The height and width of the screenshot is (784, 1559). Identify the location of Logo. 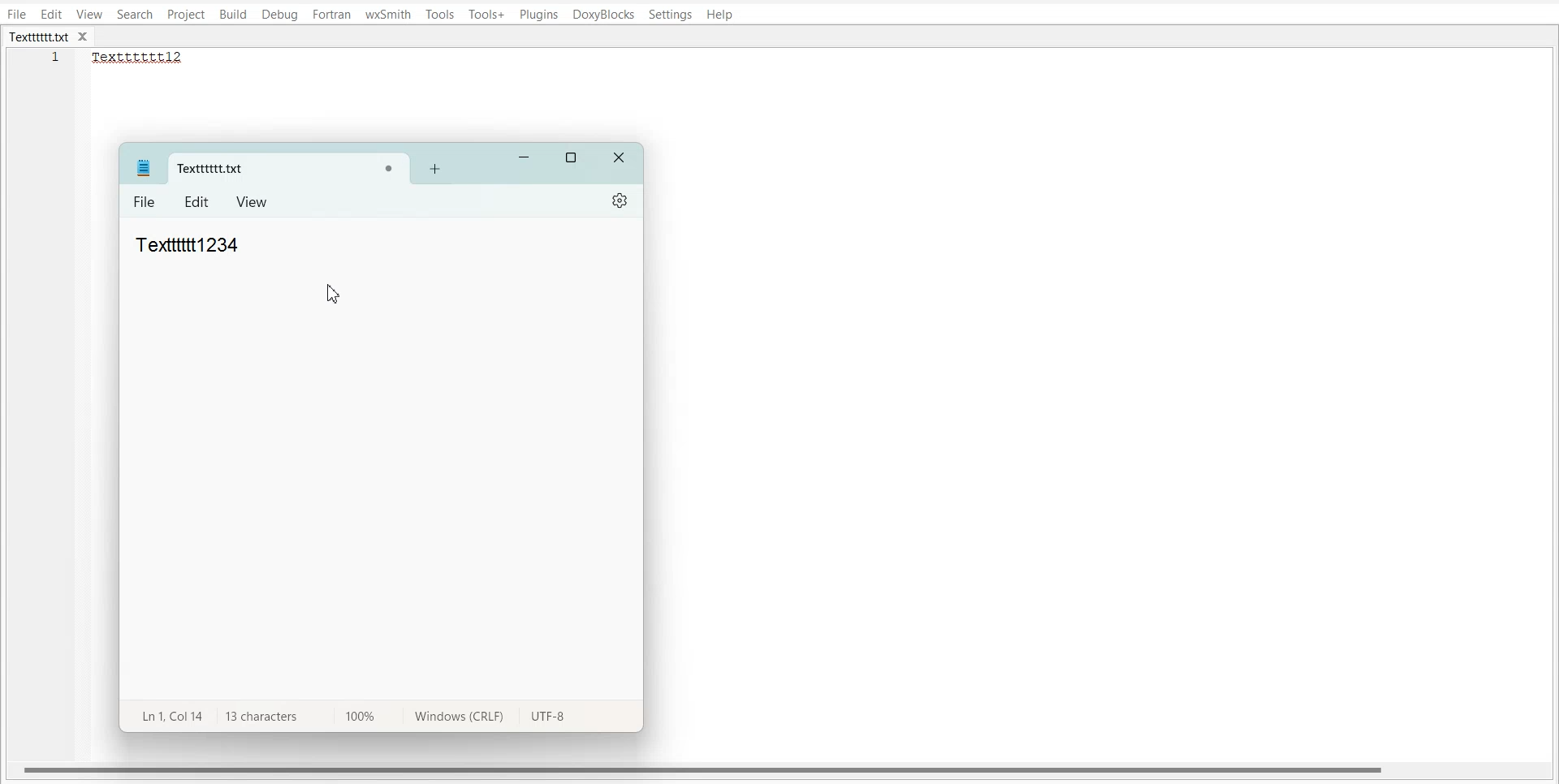
(143, 167).